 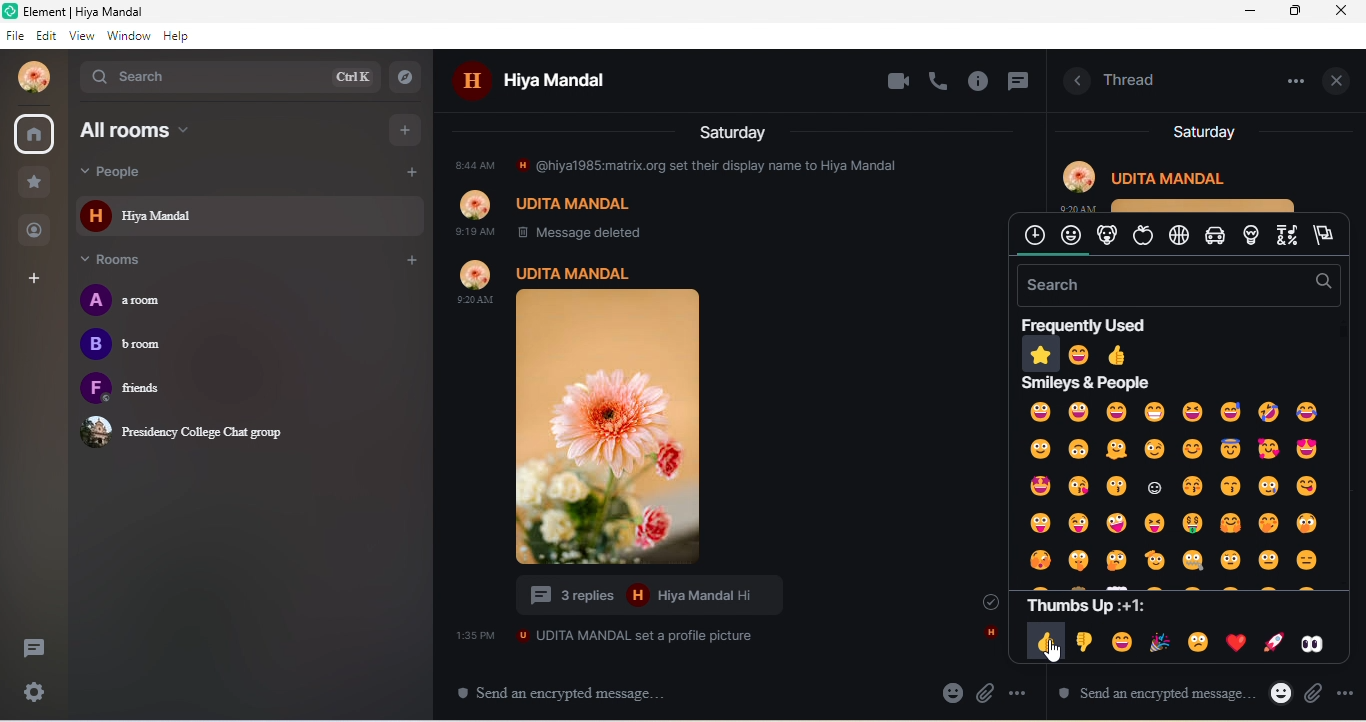 I want to click on friends, so click(x=152, y=390).